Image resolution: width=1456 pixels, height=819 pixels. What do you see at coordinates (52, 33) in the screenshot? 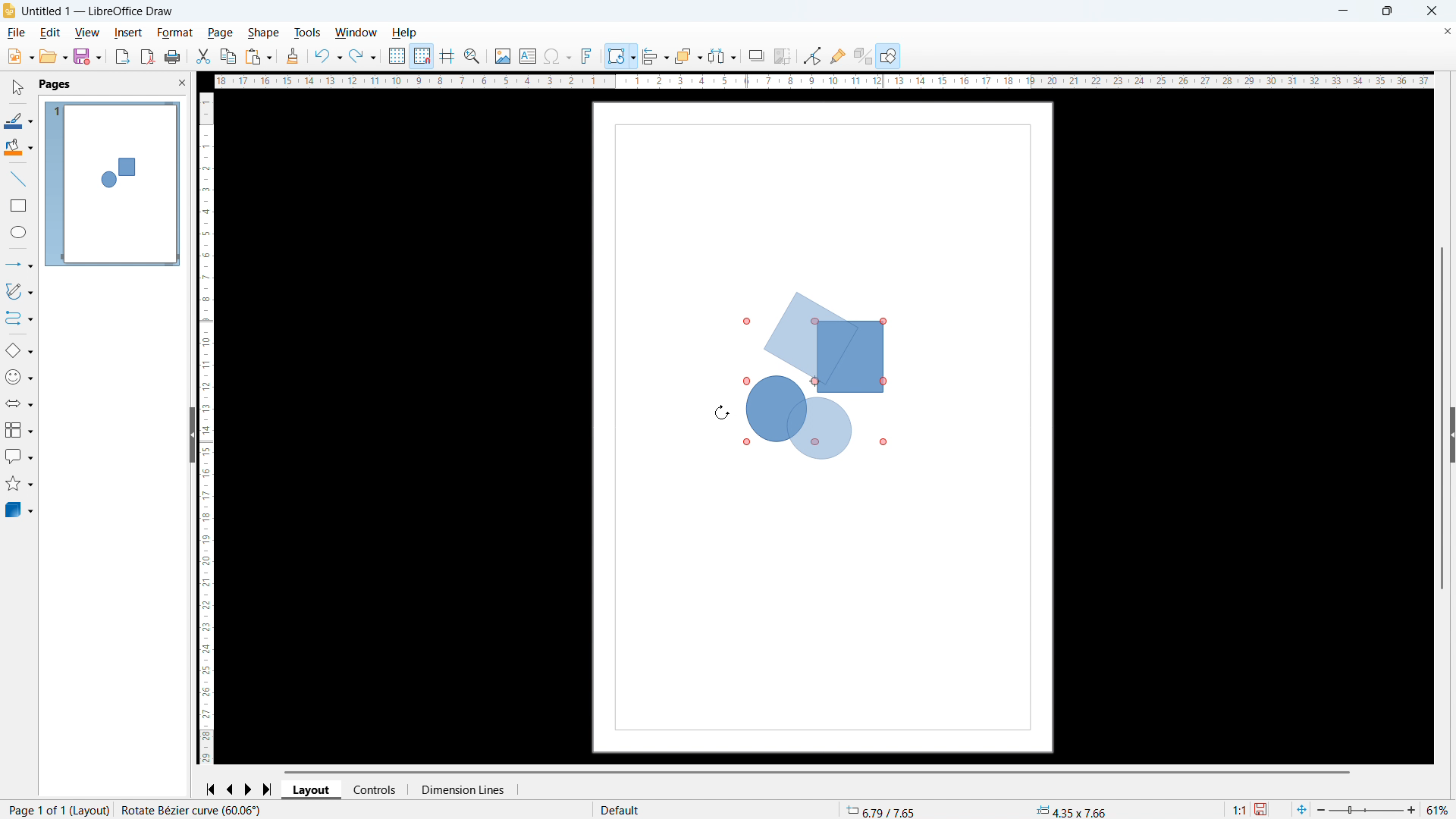
I see `Edit ` at bounding box center [52, 33].